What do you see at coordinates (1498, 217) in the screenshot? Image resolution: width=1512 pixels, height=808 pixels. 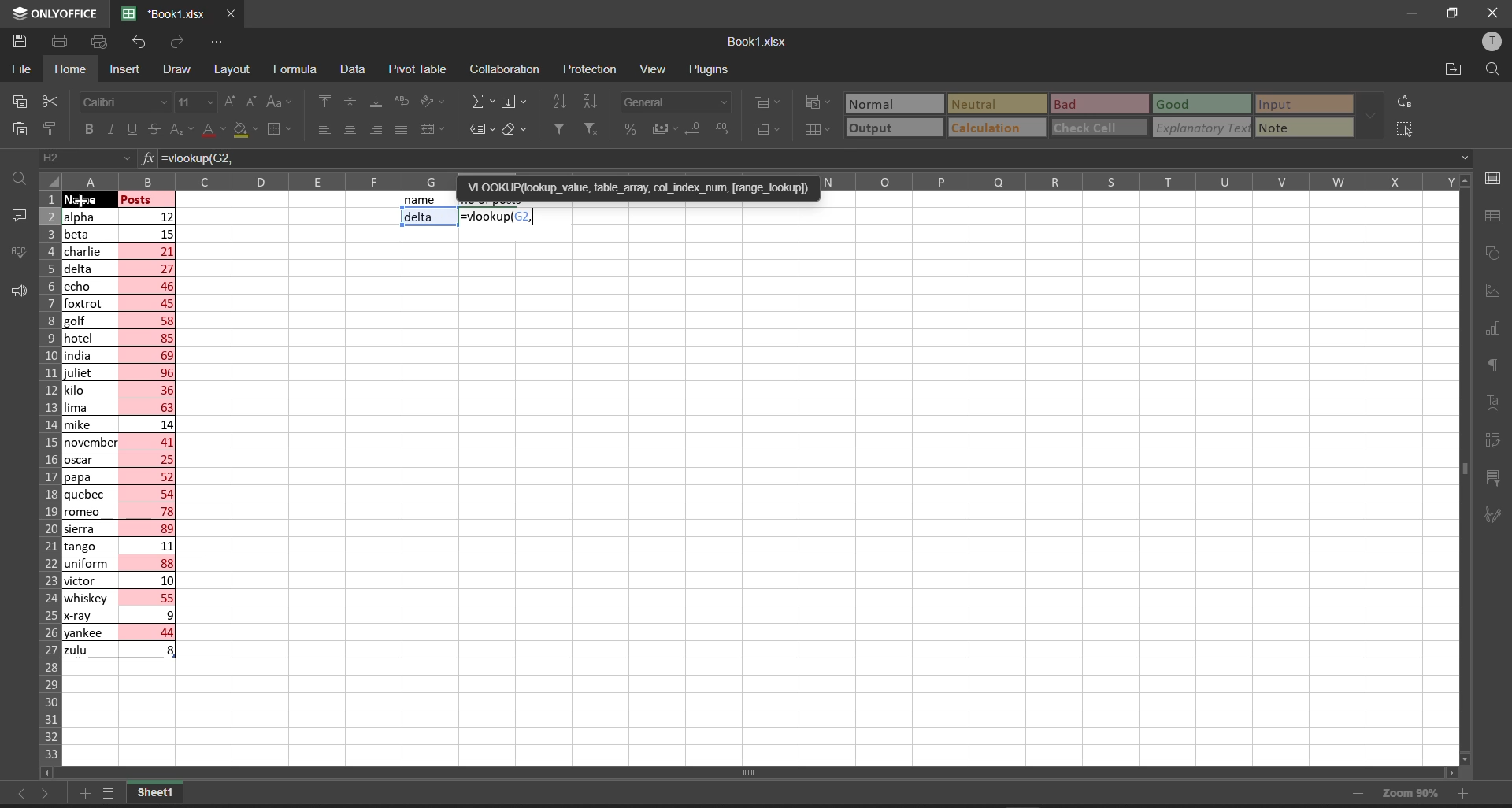 I see `table settings` at bounding box center [1498, 217].